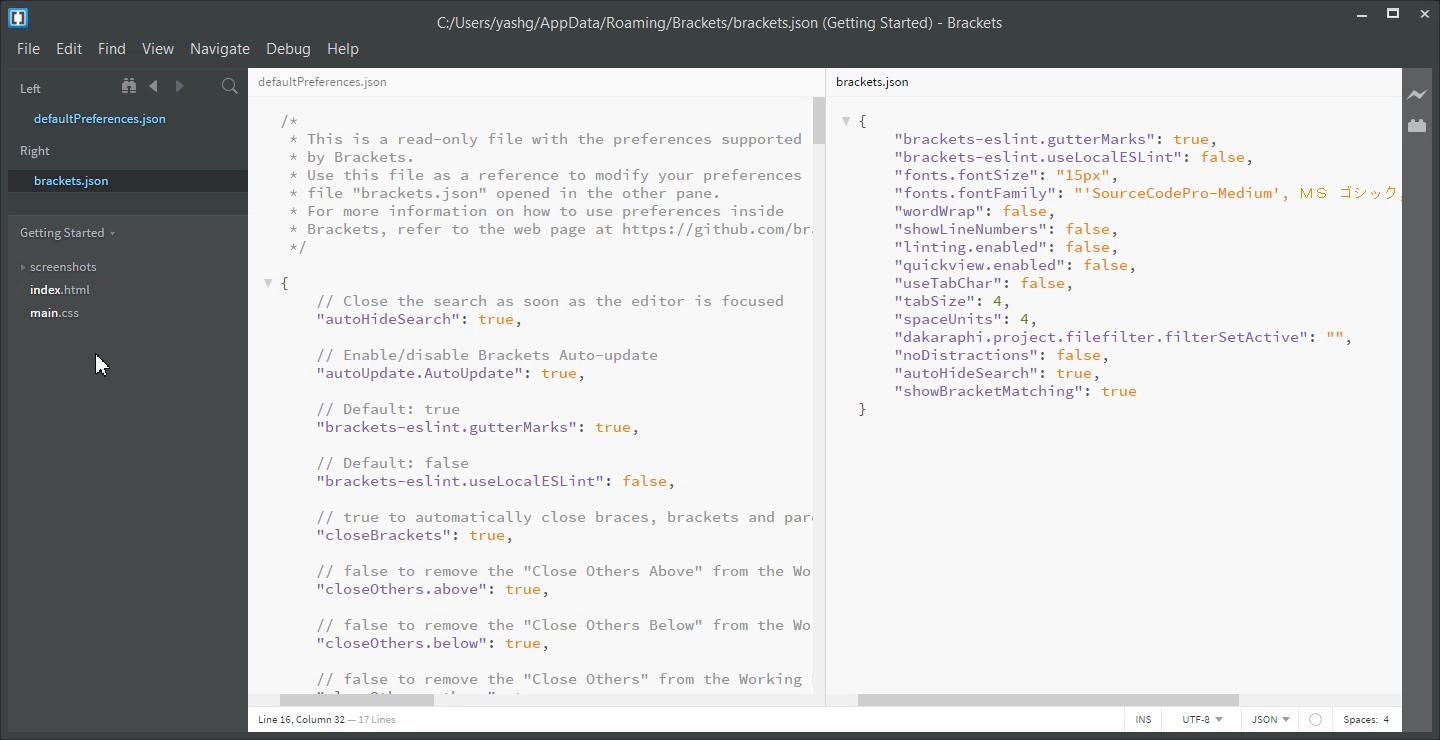 This screenshot has width=1440, height=740. I want to click on Navigate Forward, so click(179, 86).